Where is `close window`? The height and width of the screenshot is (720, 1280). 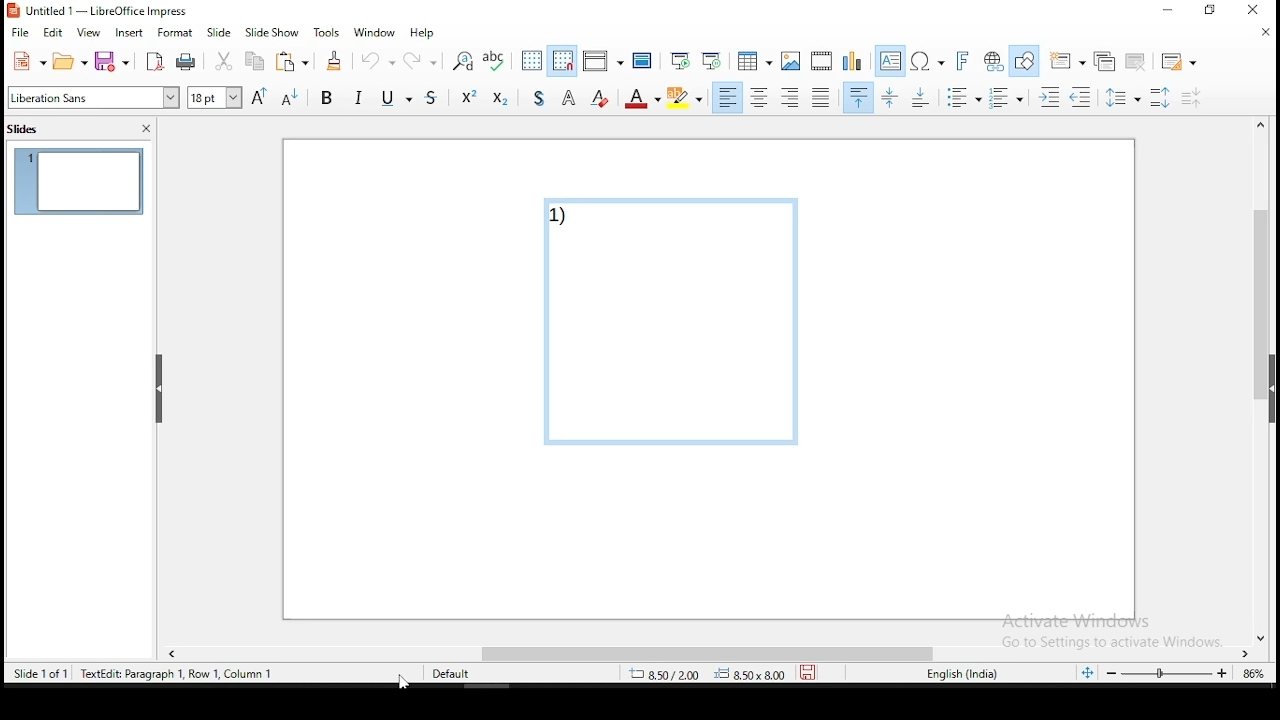 close window is located at coordinates (1256, 12).